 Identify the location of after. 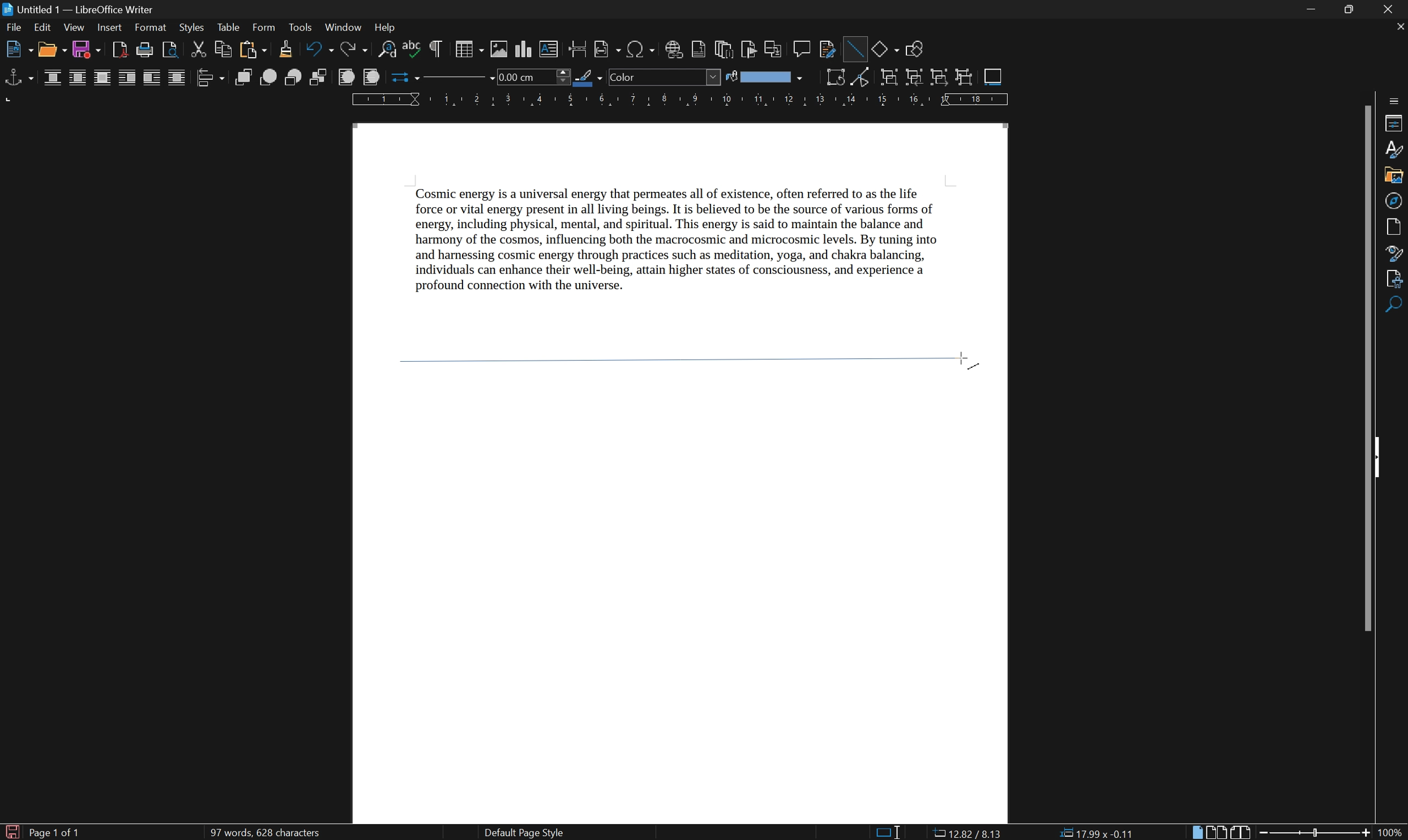
(152, 79).